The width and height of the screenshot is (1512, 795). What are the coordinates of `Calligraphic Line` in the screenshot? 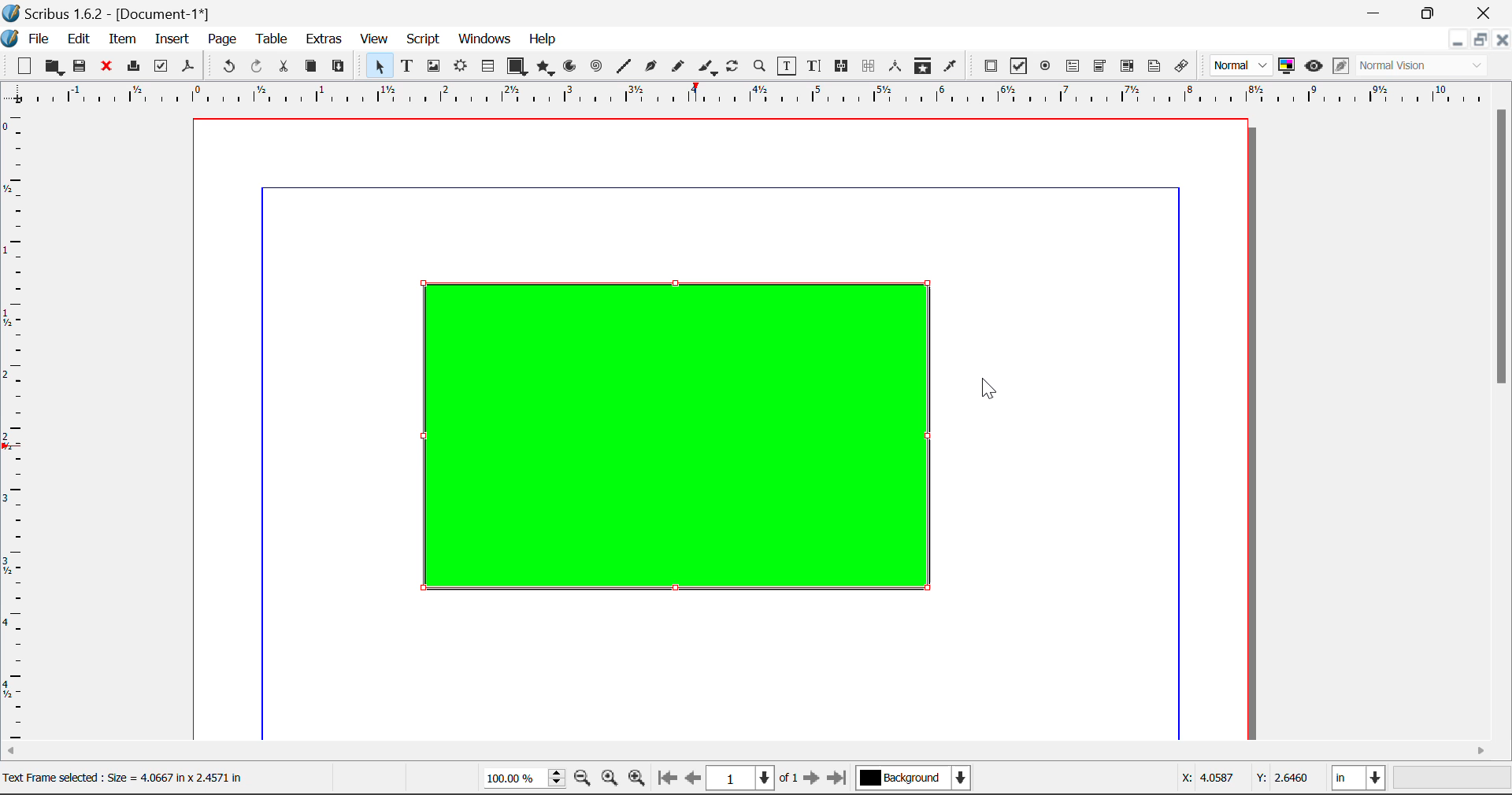 It's located at (704, 67).